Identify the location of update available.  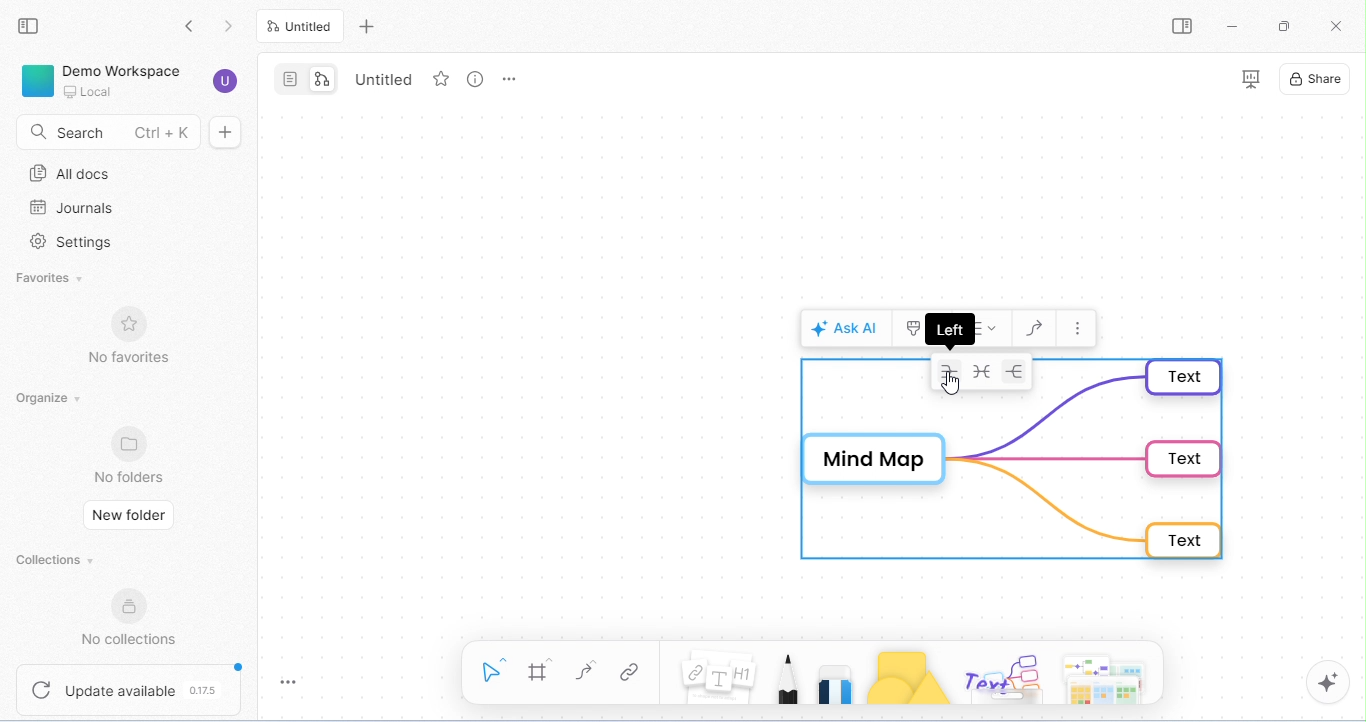
(128, 691).